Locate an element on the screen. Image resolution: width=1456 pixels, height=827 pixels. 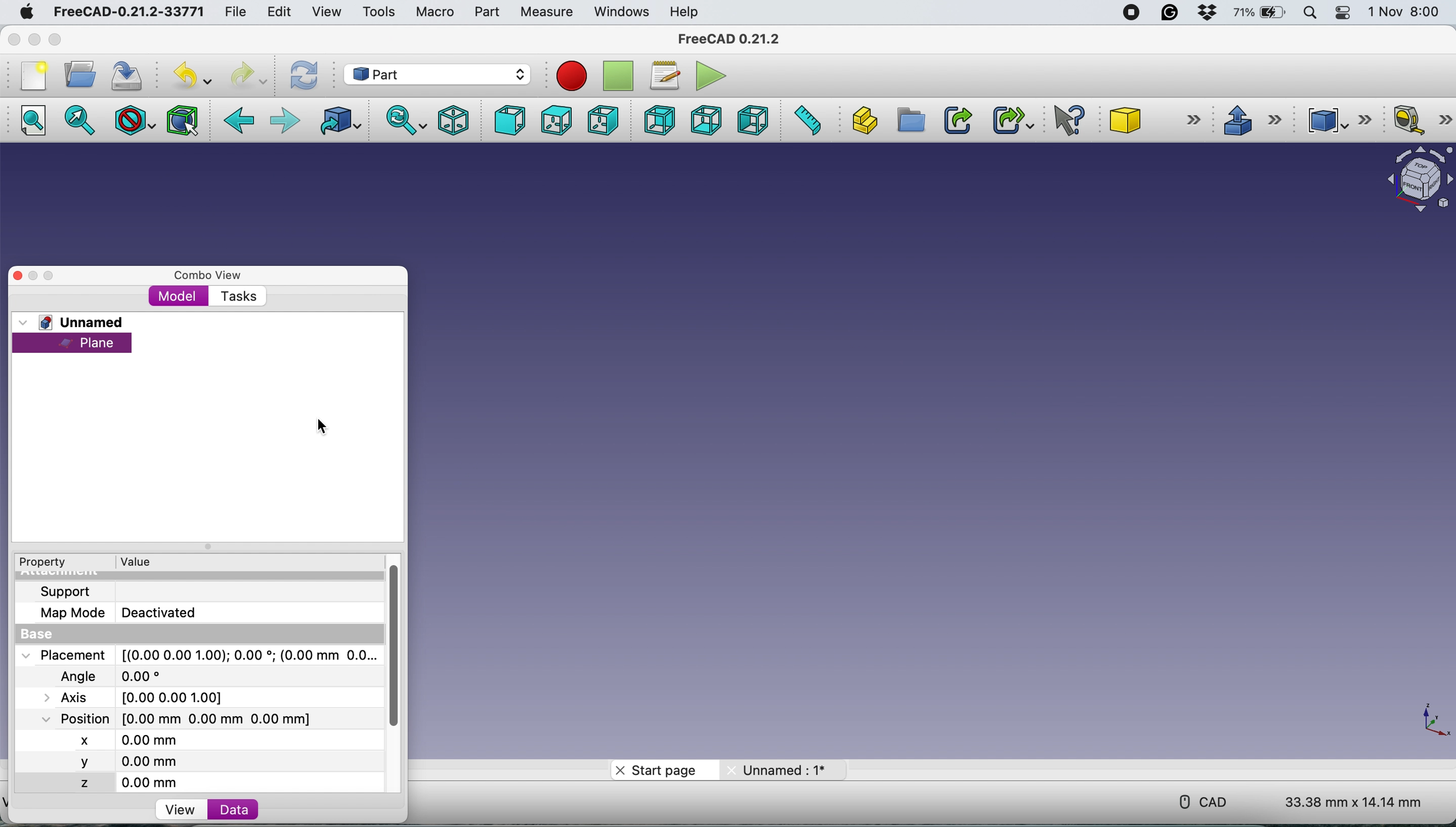
Map Mode Deactivated is located at coordinates (115, 614).